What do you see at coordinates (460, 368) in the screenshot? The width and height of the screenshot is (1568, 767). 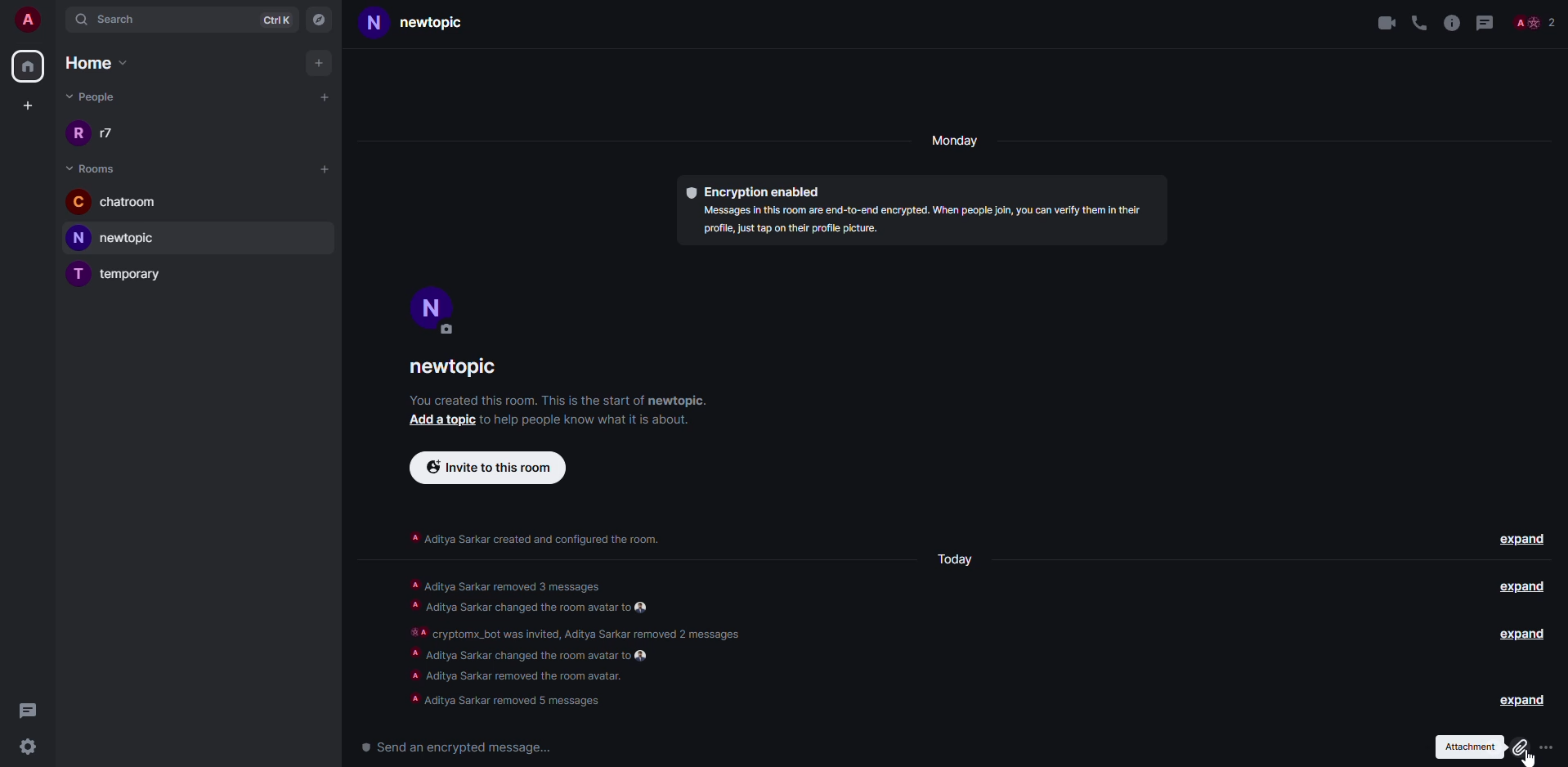 I see `room` at bounding box center [460, 368].